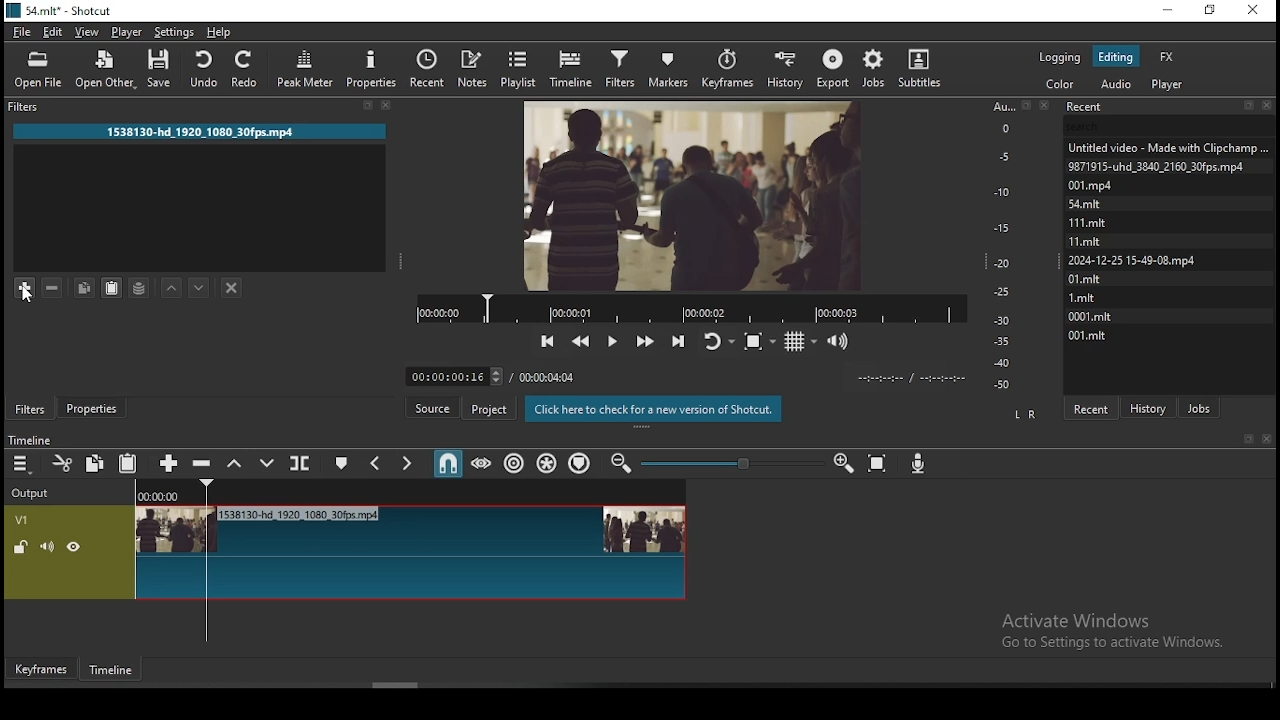 The height and width of the screenshot is (720, 1280). Describe the element at coordinates (301, 462) in the screenshot. I see `split at playhead` at that location.